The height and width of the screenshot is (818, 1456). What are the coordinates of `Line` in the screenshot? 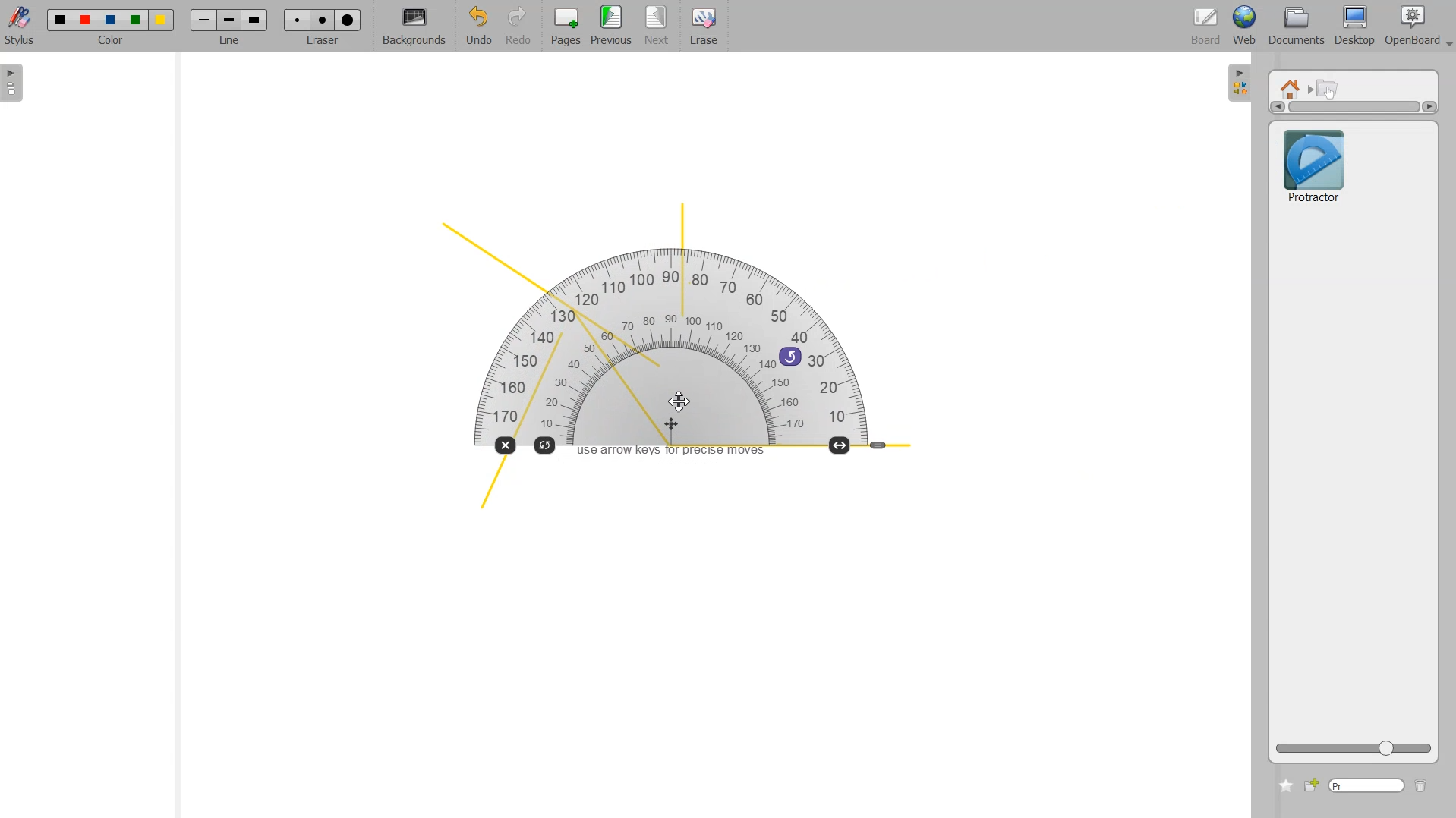 It's located at (229, 20).